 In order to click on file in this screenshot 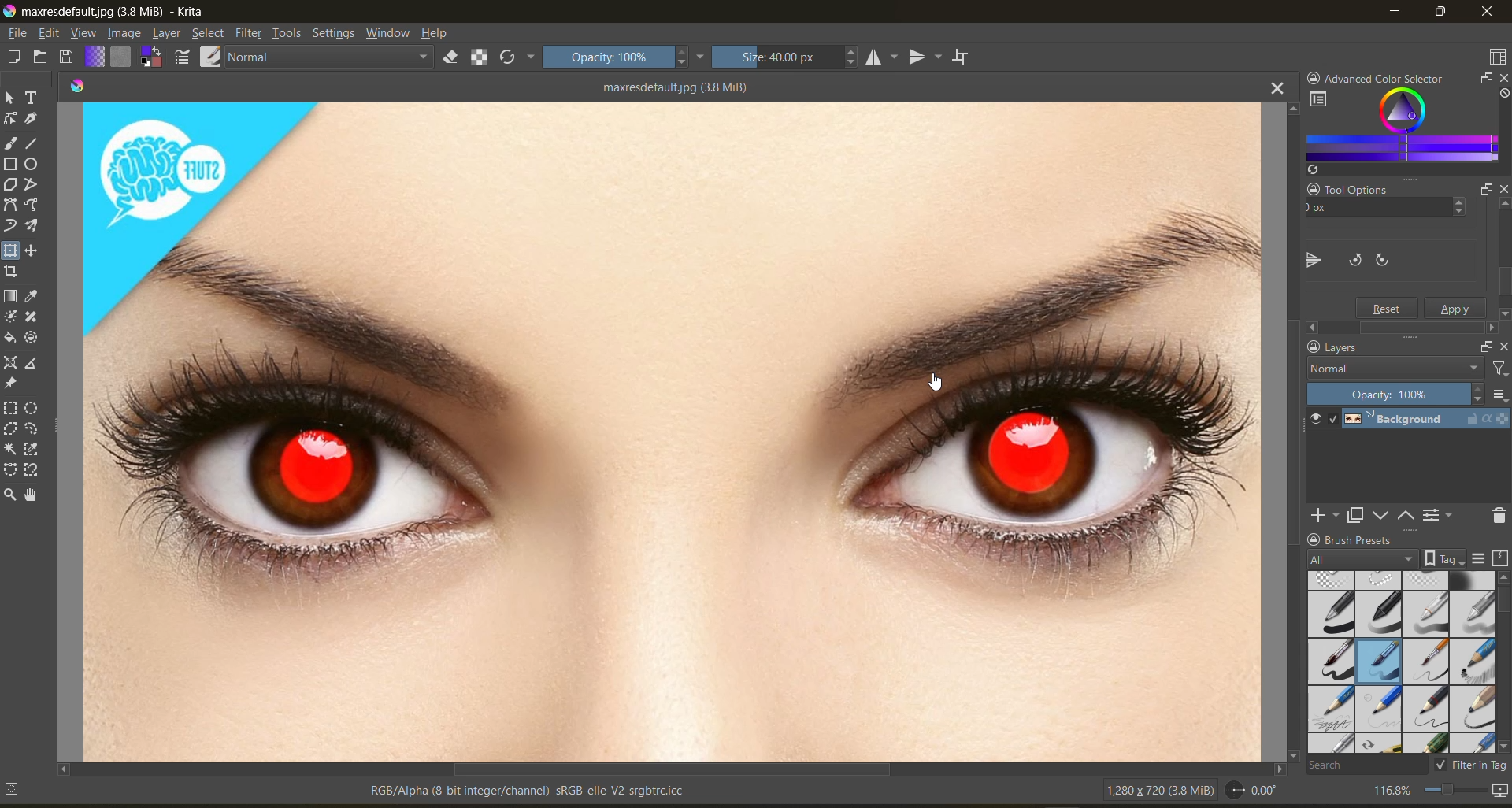, I will do `click(20, 33)`.